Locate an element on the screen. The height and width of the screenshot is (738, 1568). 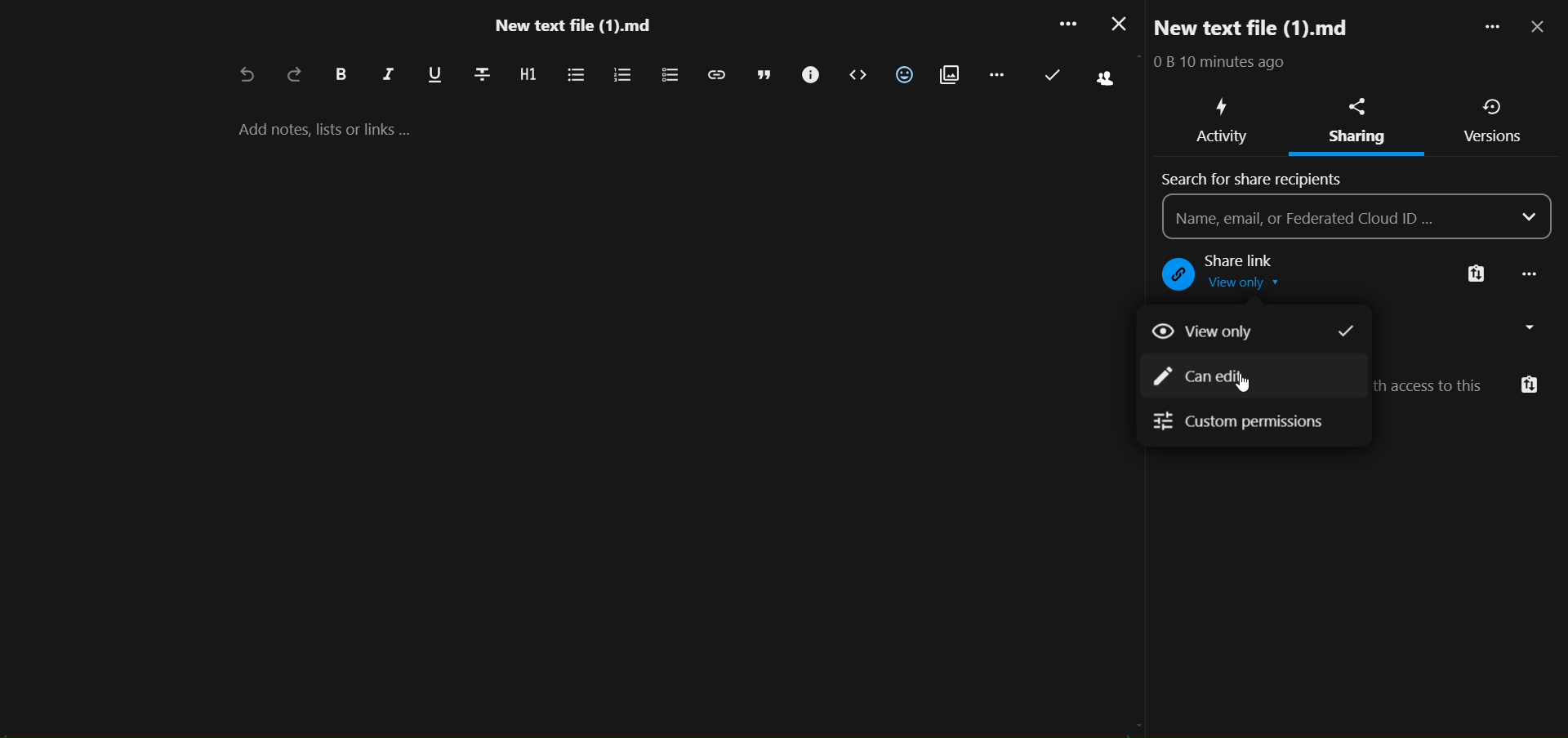
remaining action is located at coordinates (996, 73).